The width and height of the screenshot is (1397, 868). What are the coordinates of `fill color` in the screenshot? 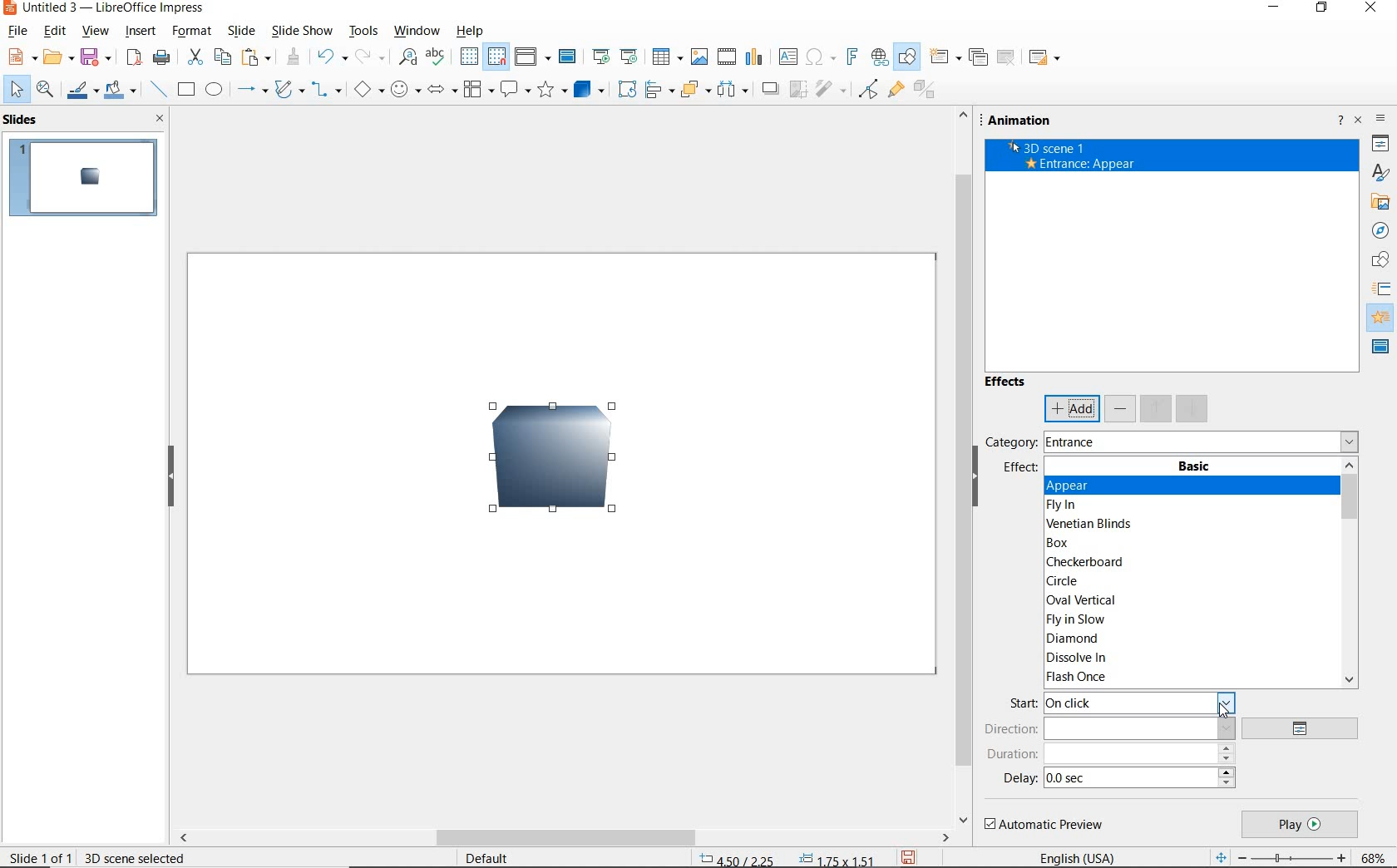 It's located at (120, 91).